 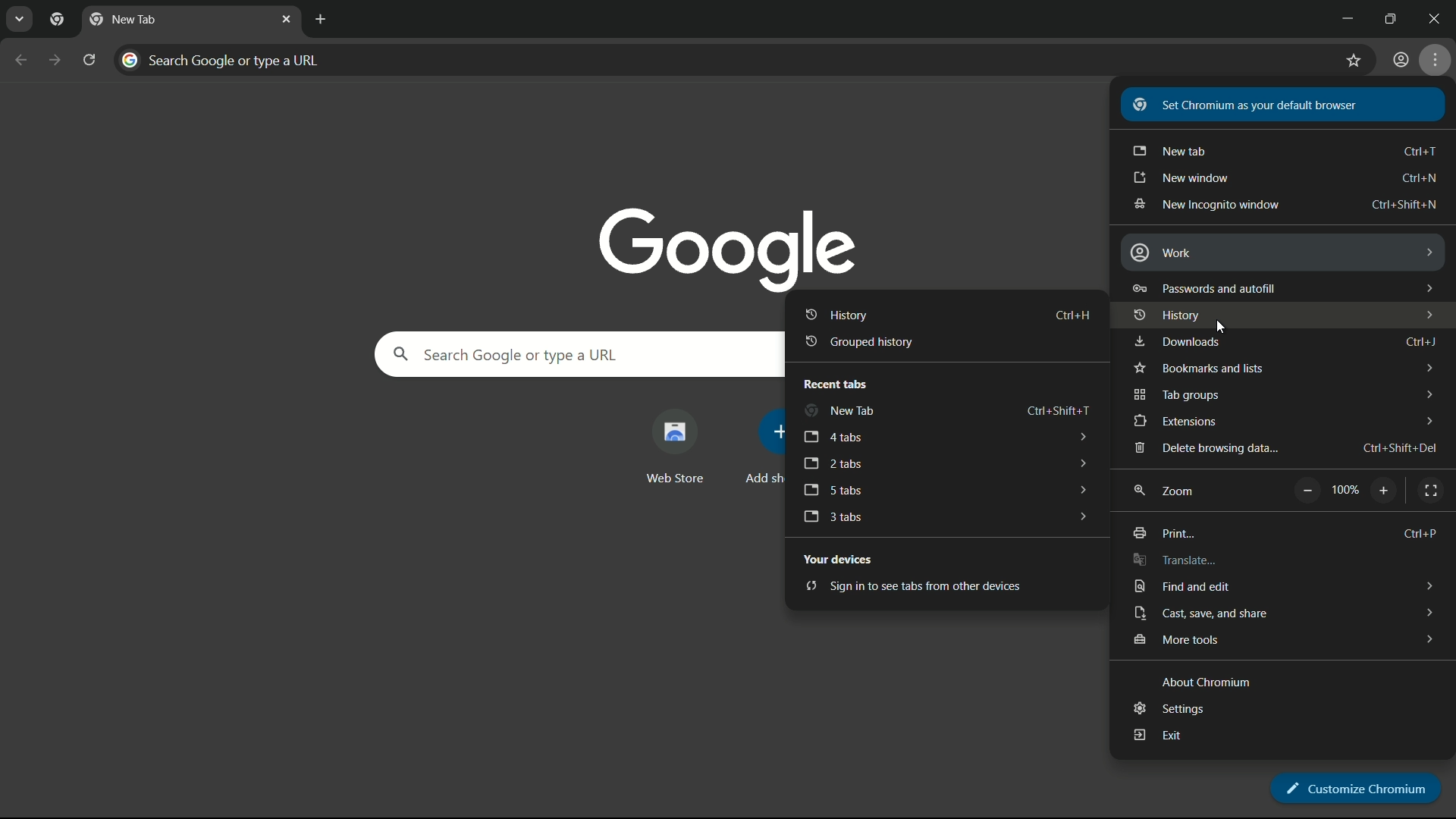 What do you see at coordinates (1175, 397) in the screenshot?
I see `tab groups` at bounding box center [1175, 397].